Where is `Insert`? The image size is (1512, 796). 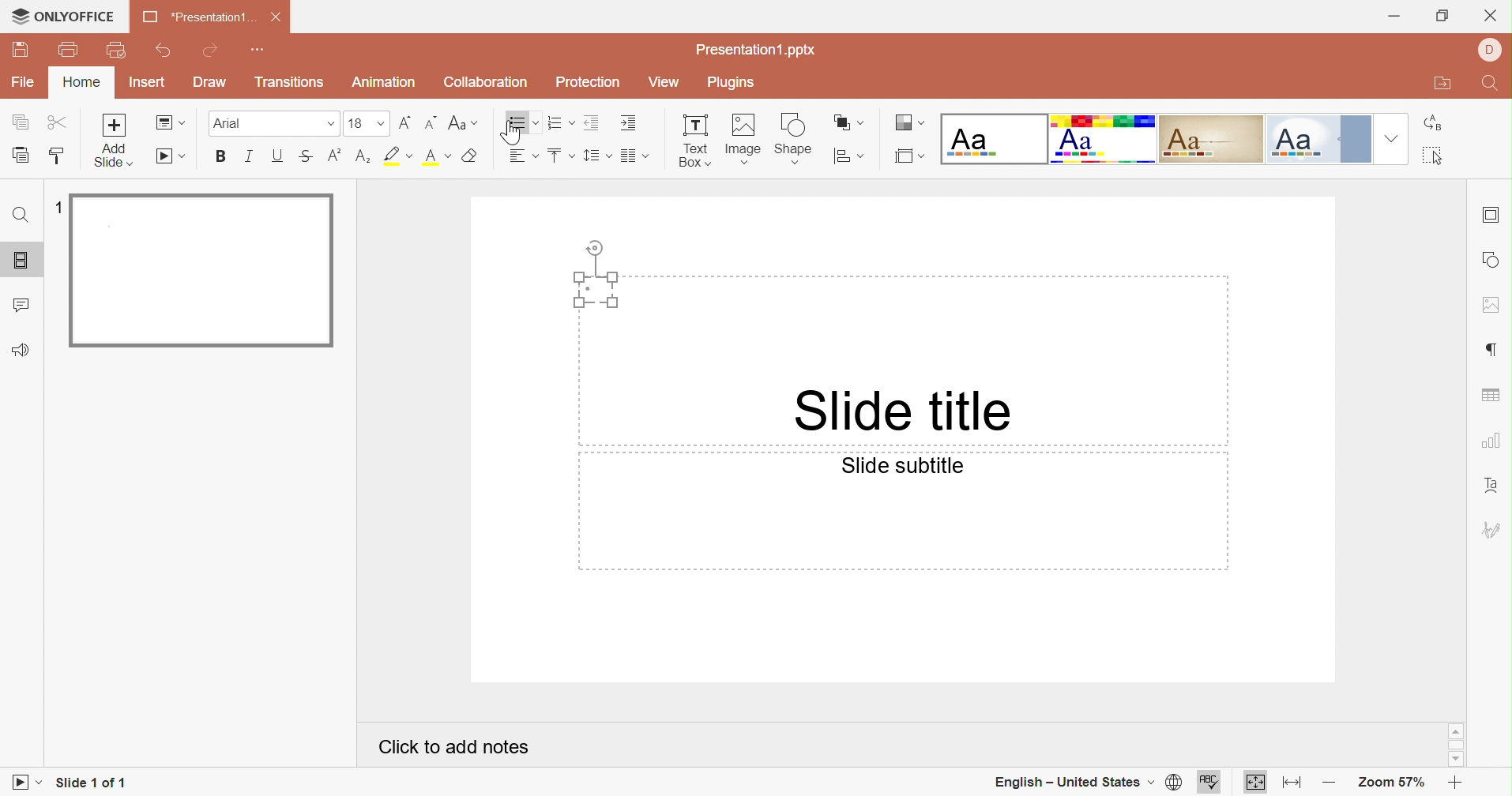 Insert is located at coordinates (149, 84).